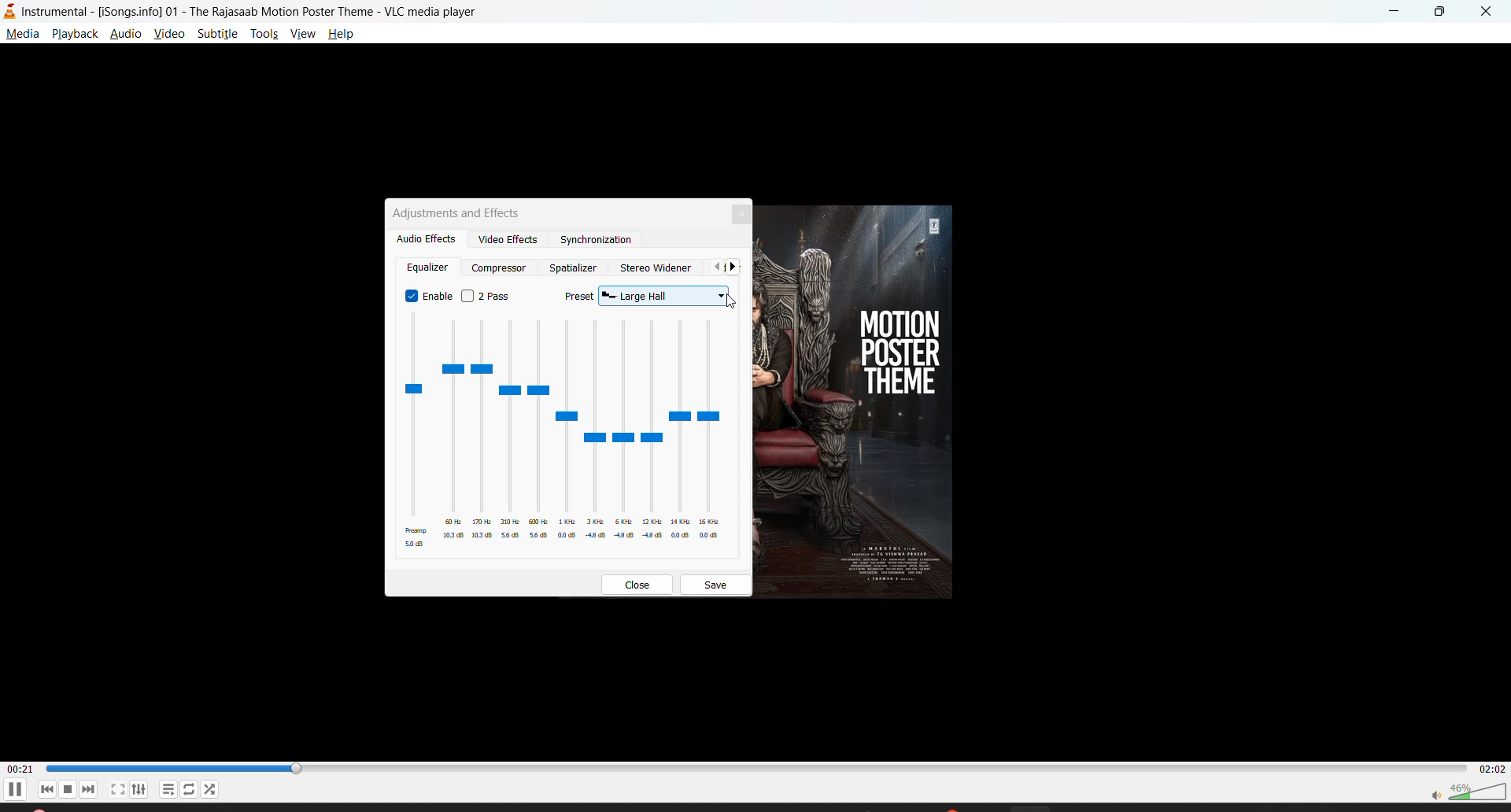 The width and height of the screenshot is (1511, 812). What do you see at coordinates (268, 32) in the screenshot?
I see `tools` at bounding box center [268, 32].